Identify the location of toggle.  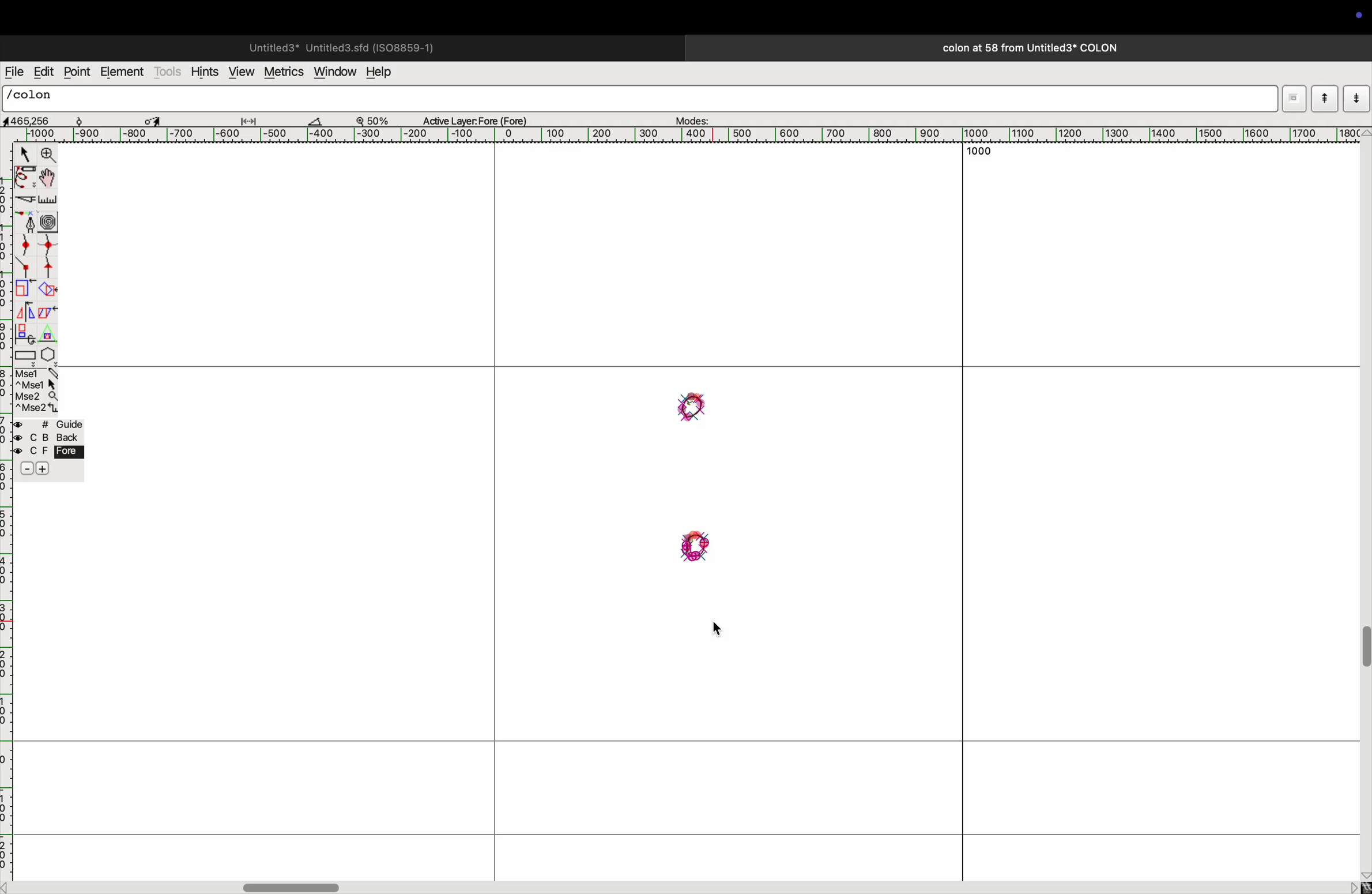
(153, 119).